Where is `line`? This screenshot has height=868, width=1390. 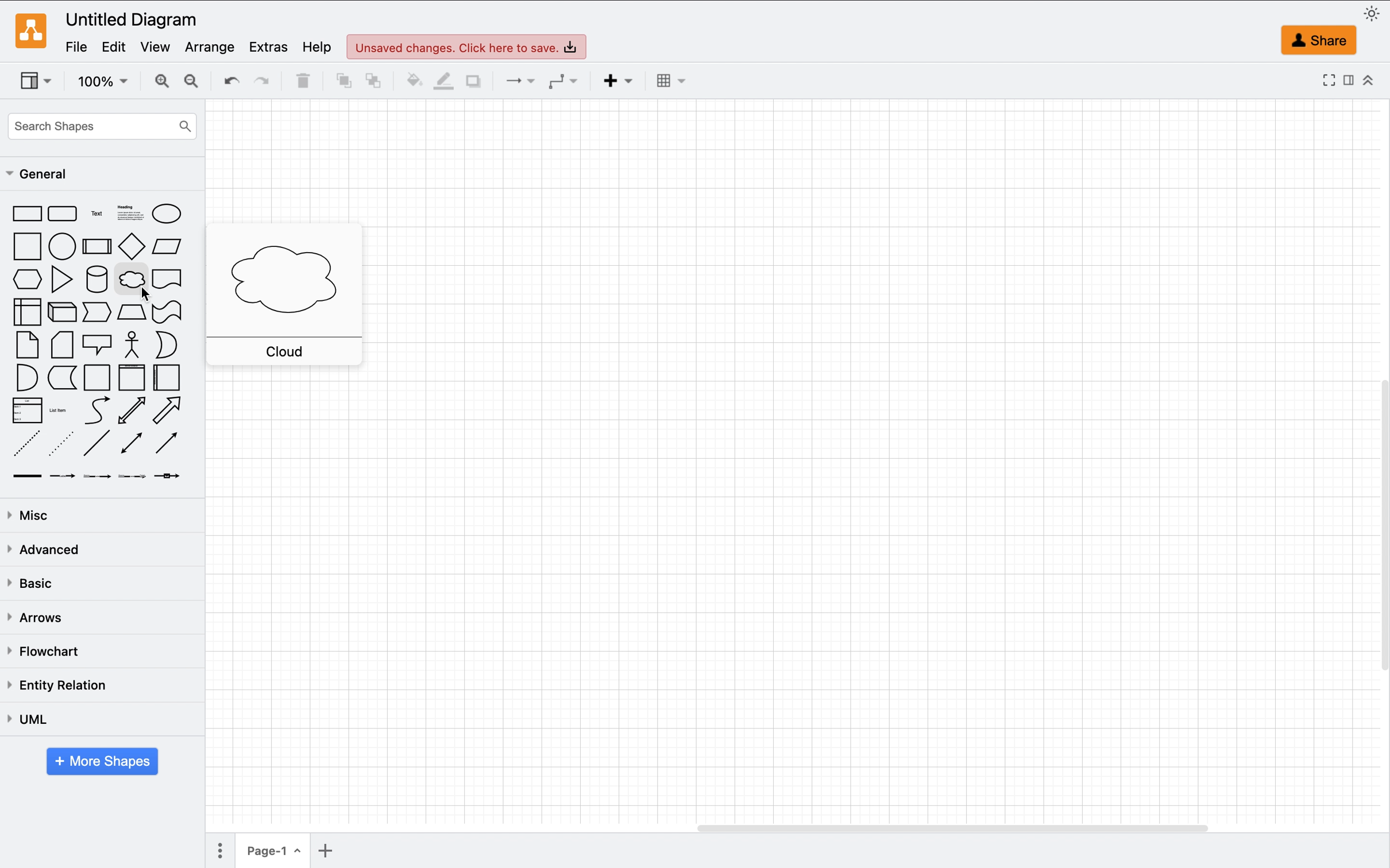
line is located at coordinates (95, 447).